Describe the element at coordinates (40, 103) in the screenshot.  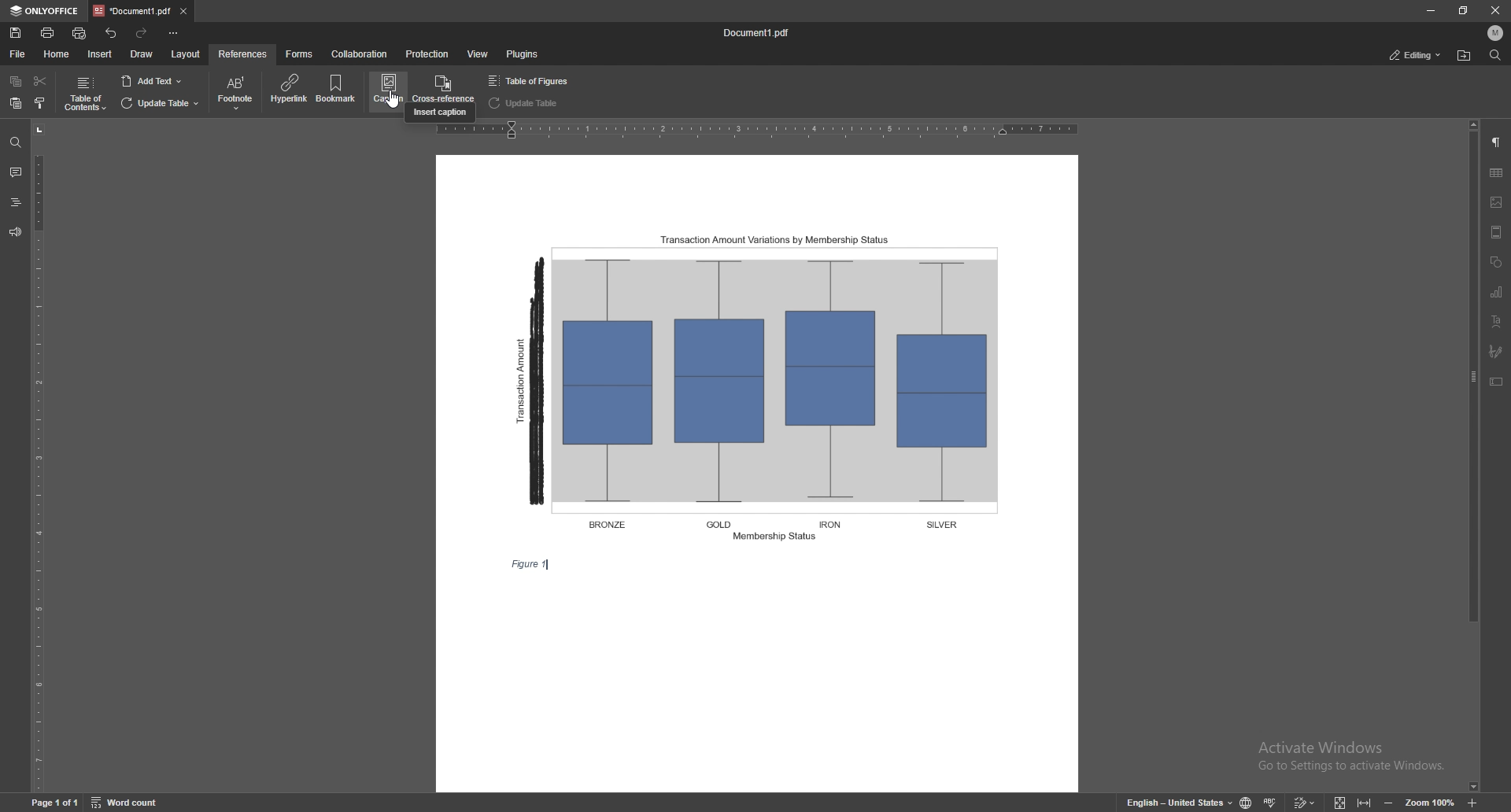
I see `copy style` at that location.